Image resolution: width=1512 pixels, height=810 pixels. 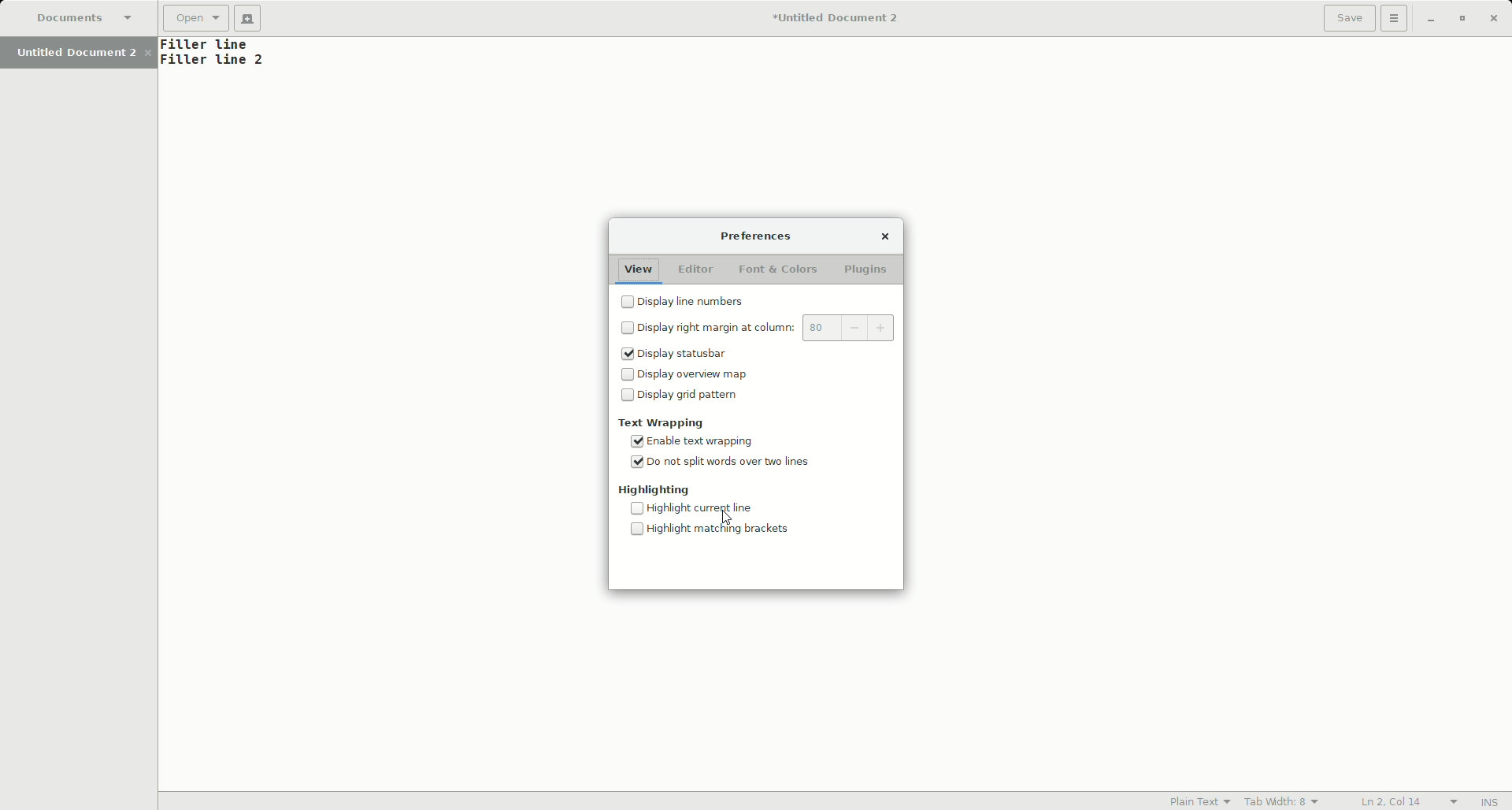 I want to click on Restore, so click(x=1460, y=19).